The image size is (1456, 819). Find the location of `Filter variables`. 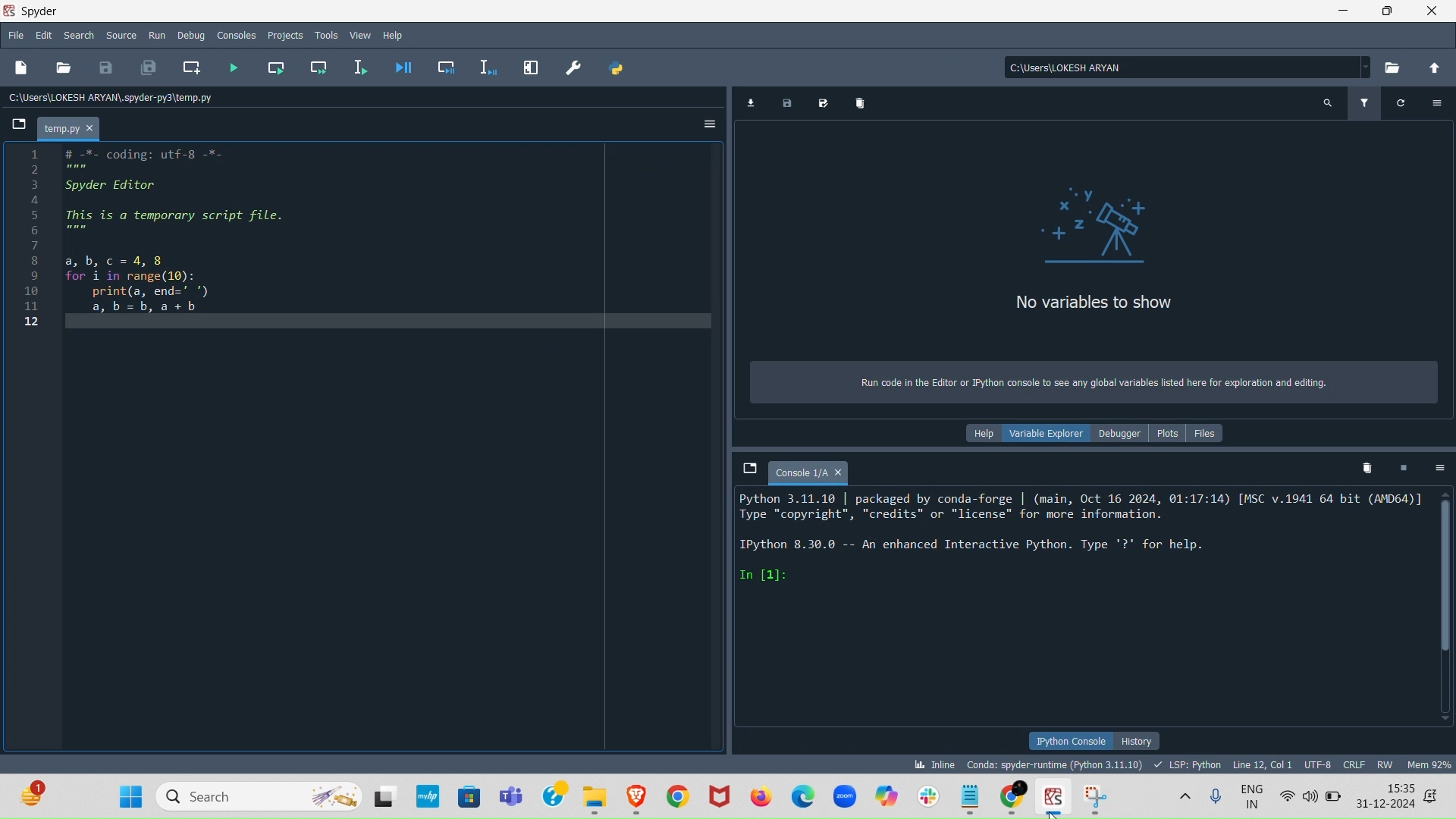

Filter variables is located at coordinates (1364, 100).